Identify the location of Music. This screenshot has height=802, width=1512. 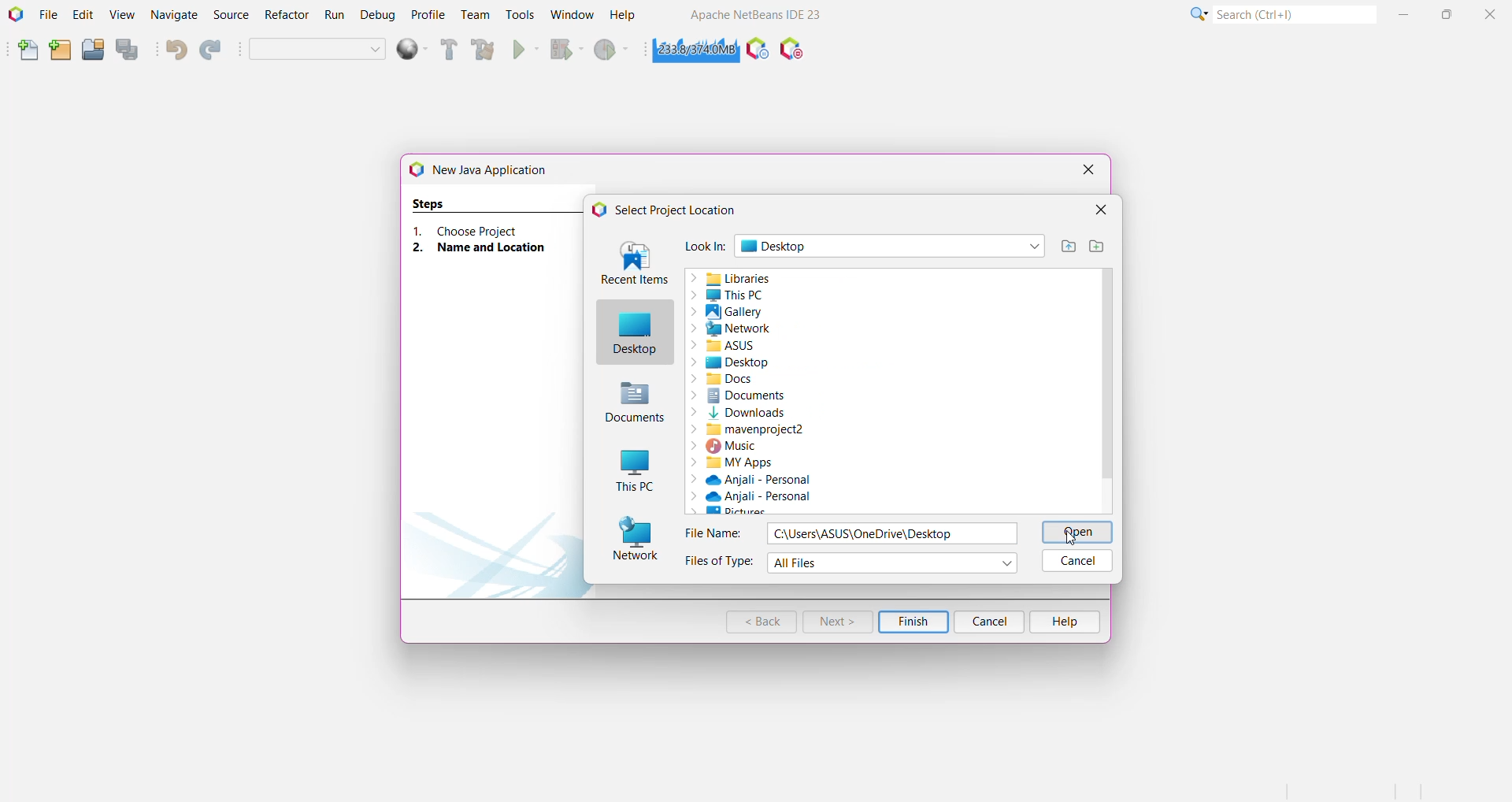
(849, 446).